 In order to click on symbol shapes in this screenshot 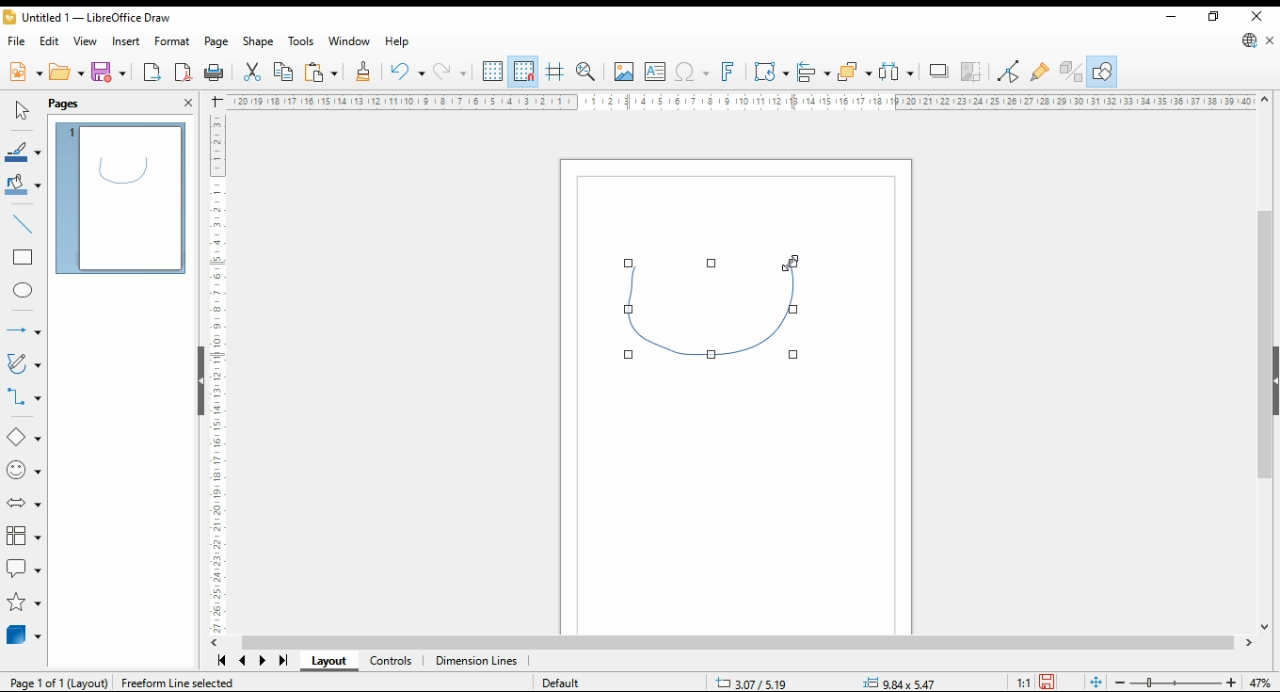, I will do `click(24, 471)`.